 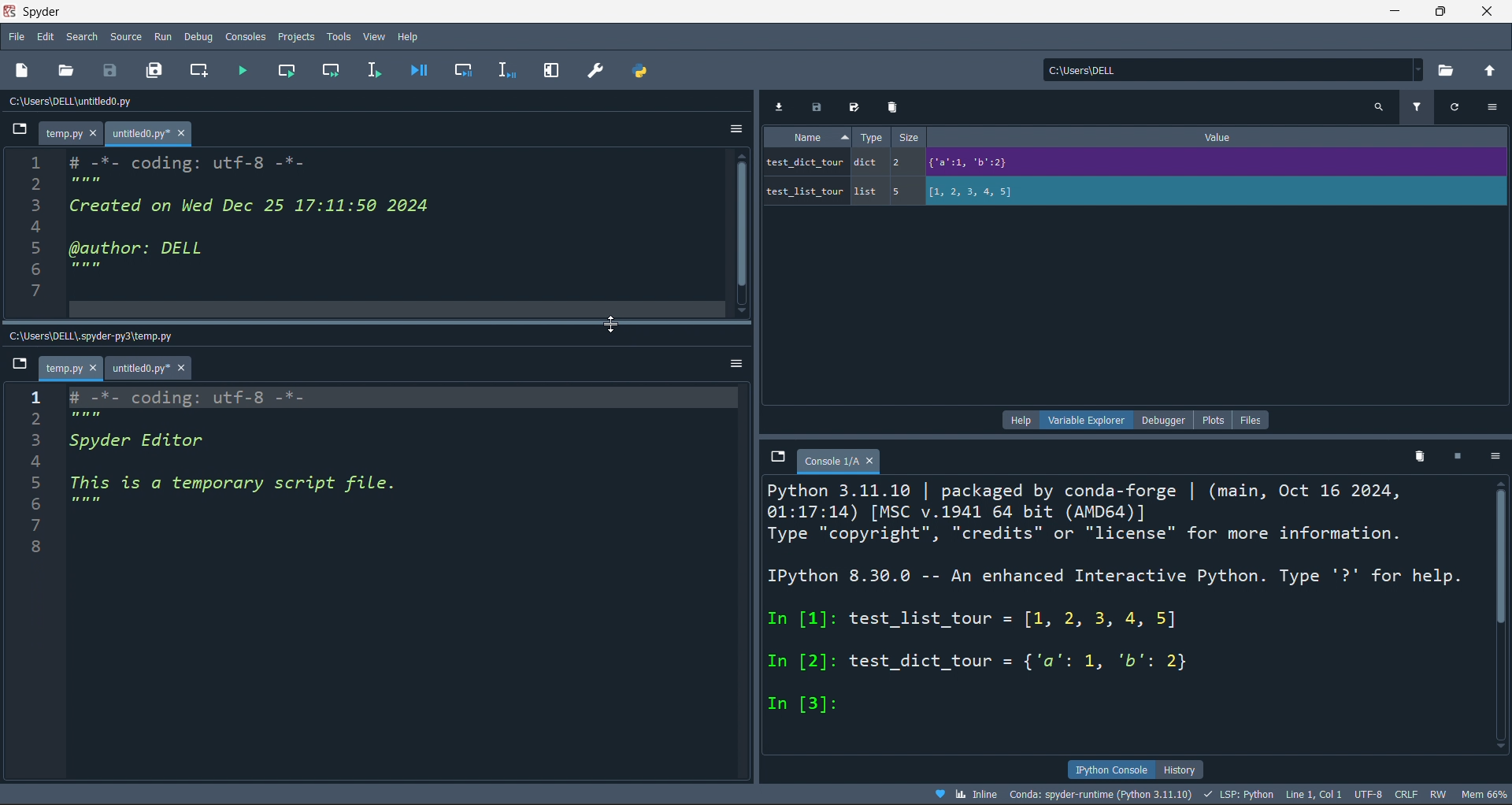 I want to click on OPEN FILE, so click(x=66, y=69).